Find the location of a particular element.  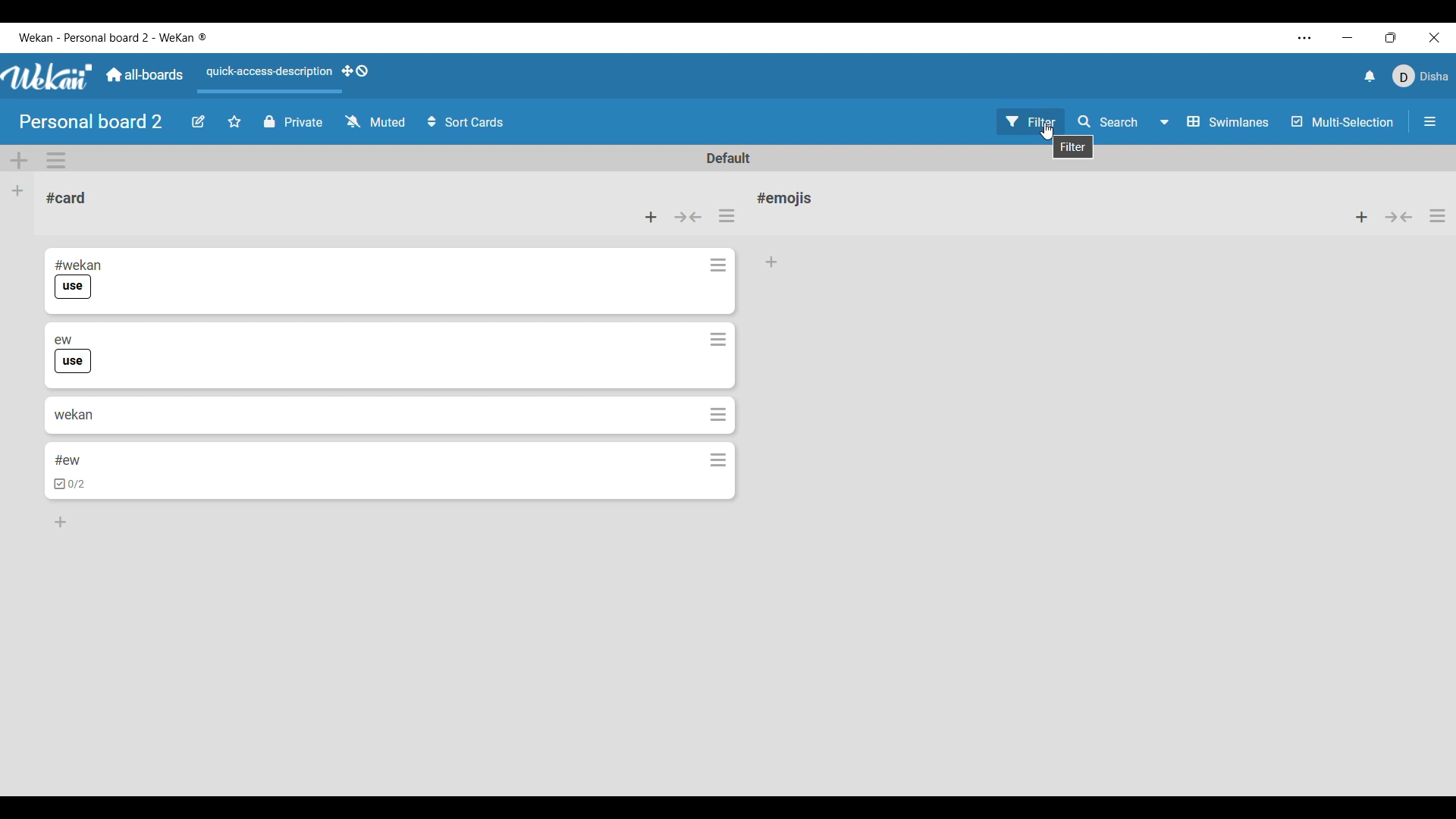

Notifications  is located at coordinates (1370, 77).